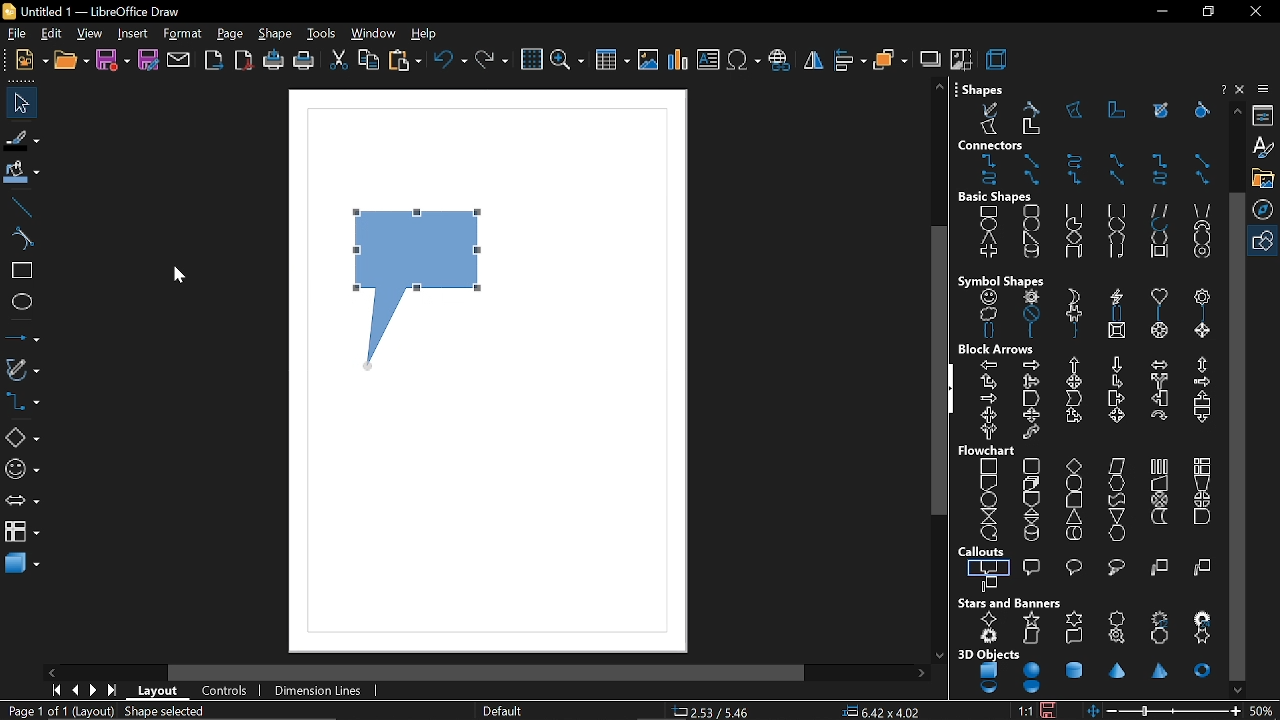  Describe the element at coordinates (1118, 161) in the screenshot. I see `line connector ends with arrow` at that location.